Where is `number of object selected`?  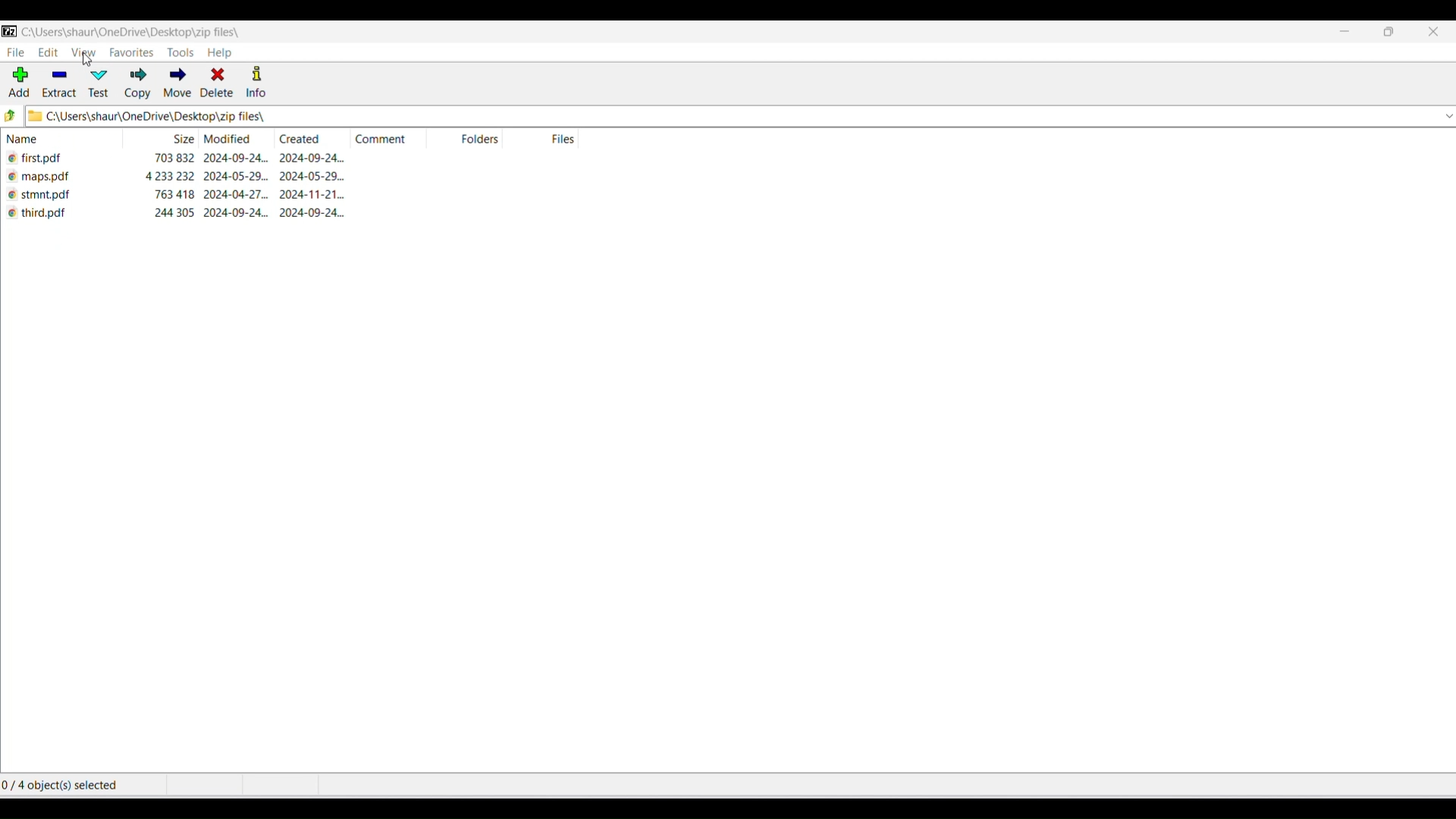
number of object selected is located at coordinates (65, 786).